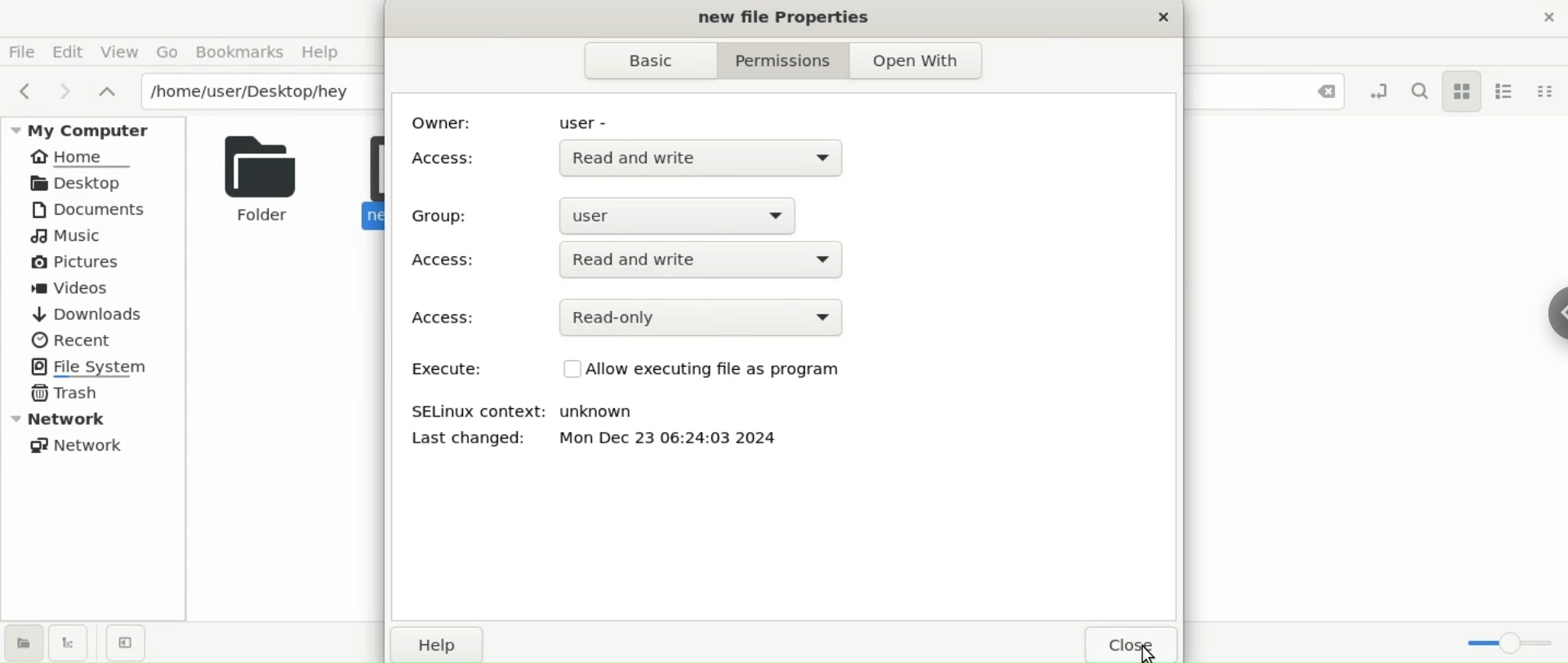 Image resolution: width=1568 pixels, height=663 pixels. What do you see at coordinates (1165, 20) in the screenshot?
I see `close` at bounding box center [1165, 20].